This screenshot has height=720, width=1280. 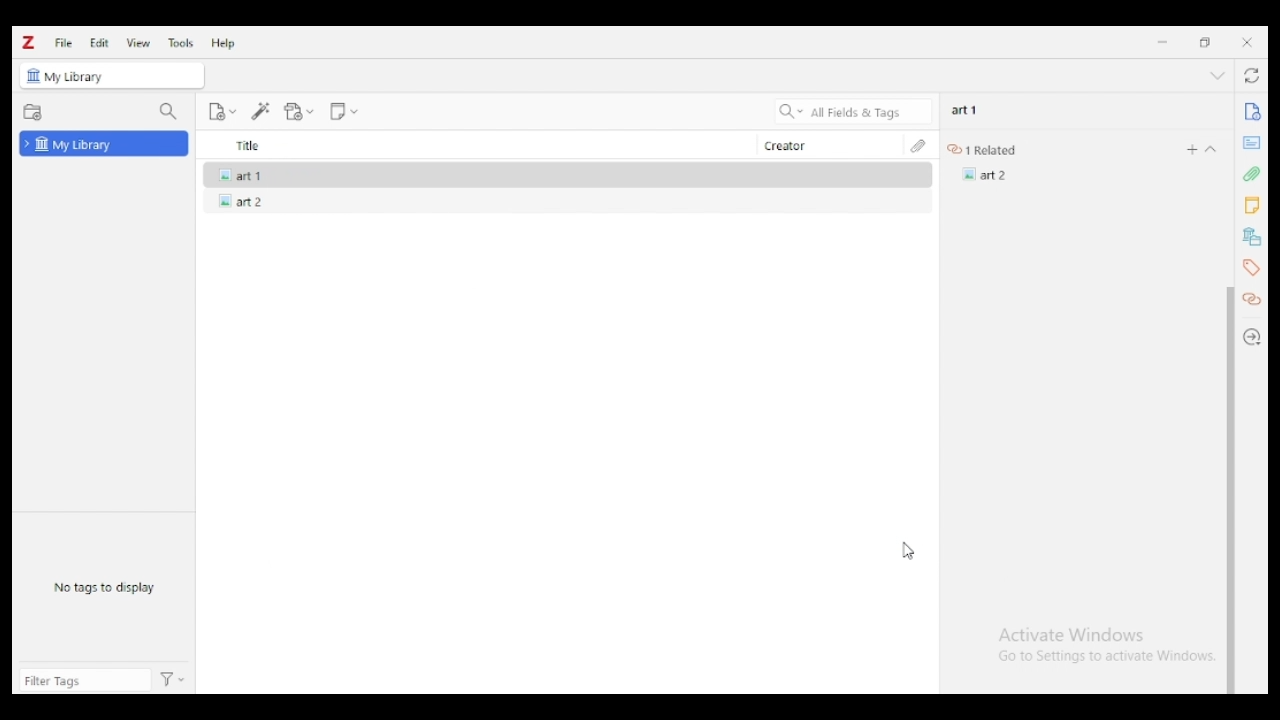 I want to click on no tags to display, so click(x=104, y=588).